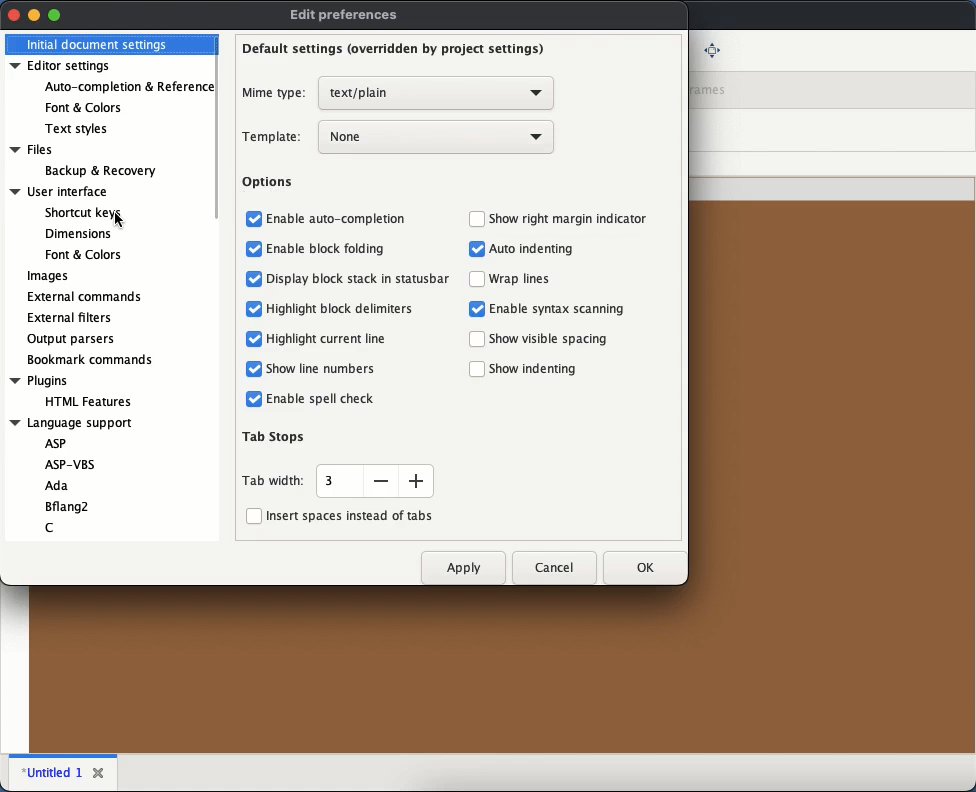  Describe the element at coordinates (69, 465) in the screenshot. I see `'ASP-VBS` at that location.